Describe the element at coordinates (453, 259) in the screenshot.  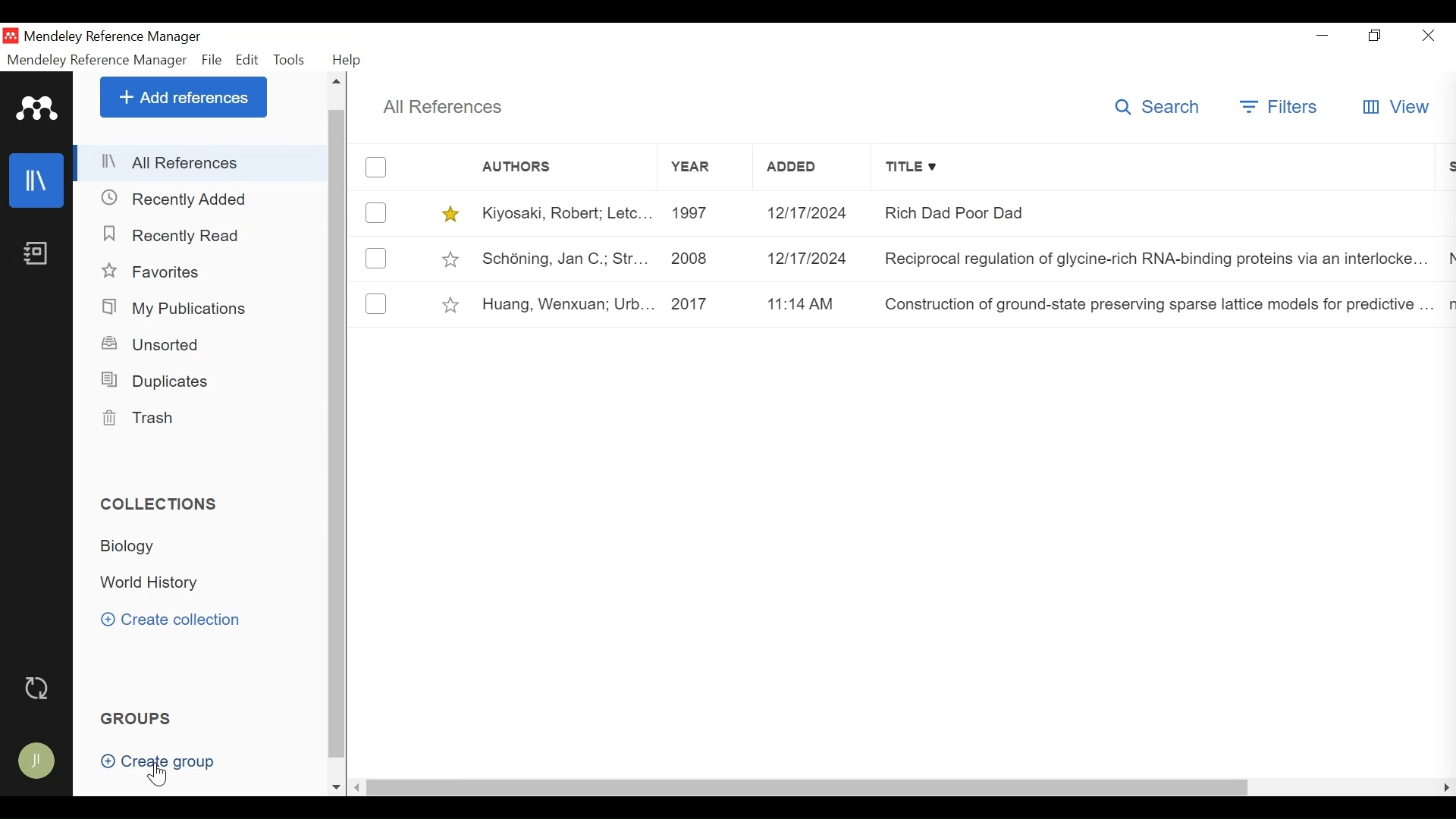
I see `toggle Favorites` at that location.